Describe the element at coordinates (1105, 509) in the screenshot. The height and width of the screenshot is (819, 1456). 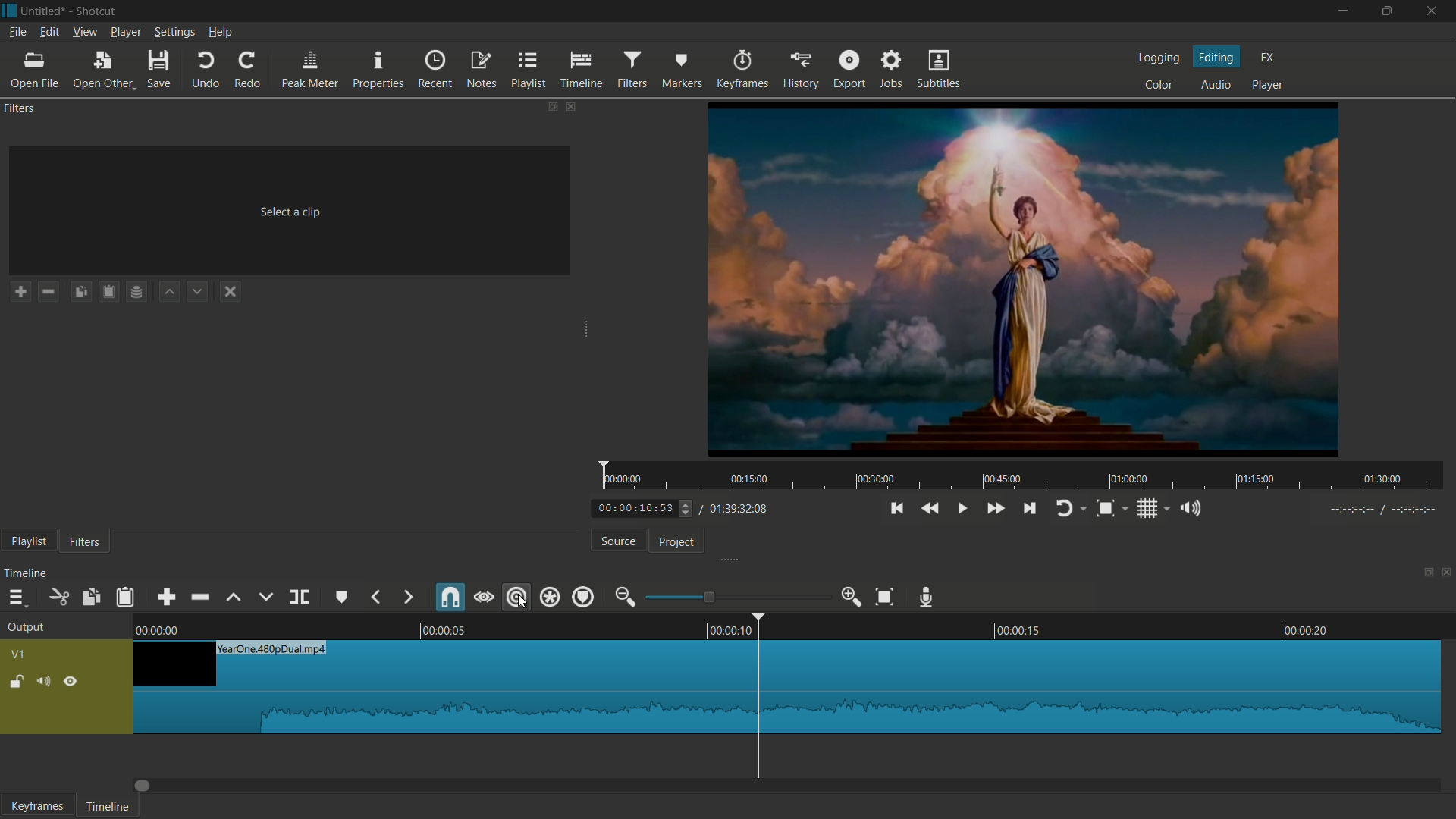
I see `toggle zoom` at that location.